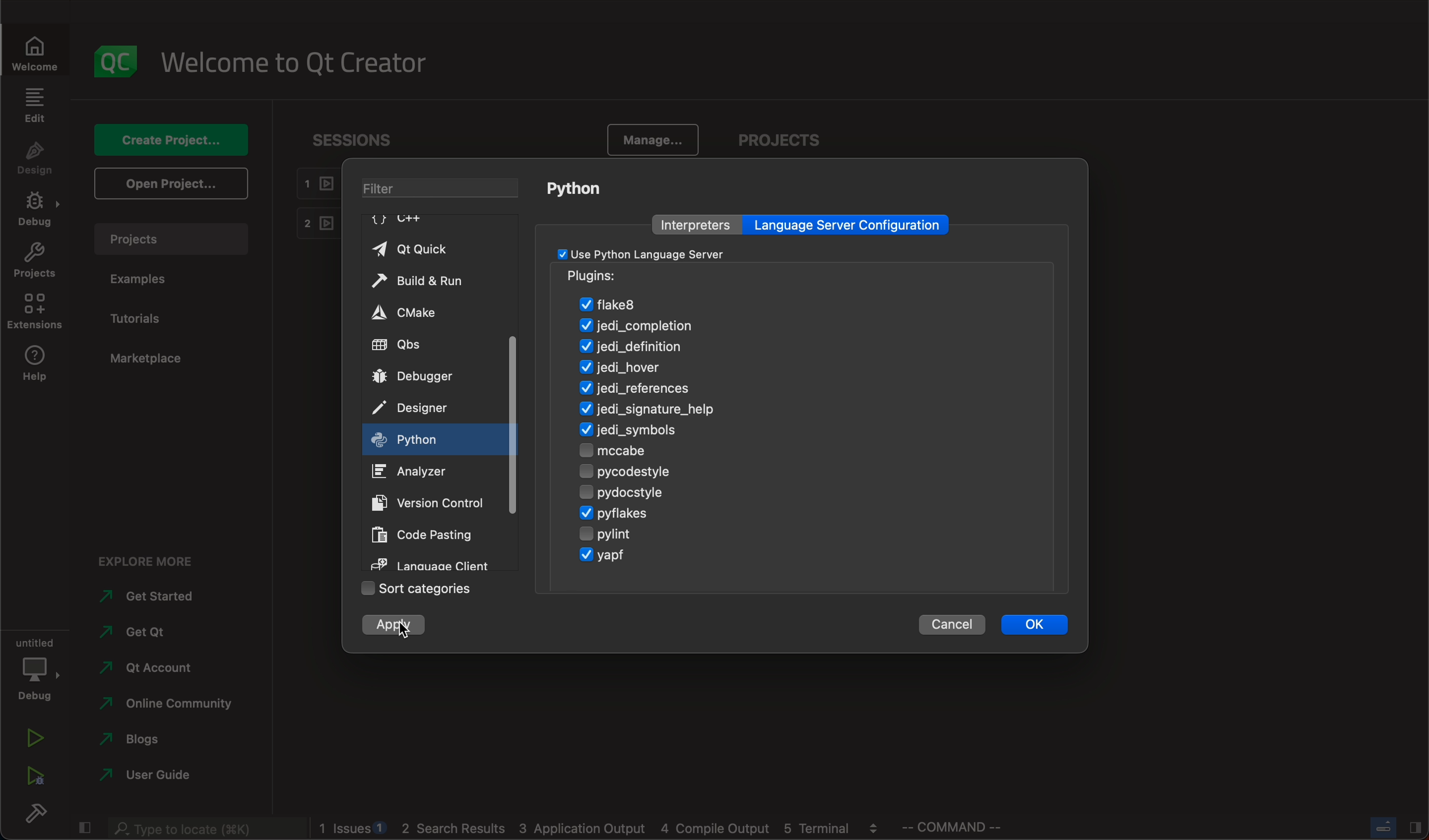  What do you see at coordinates (423, 345) in the screenshot?
I see `qbs` at bounding box center [423, 345].